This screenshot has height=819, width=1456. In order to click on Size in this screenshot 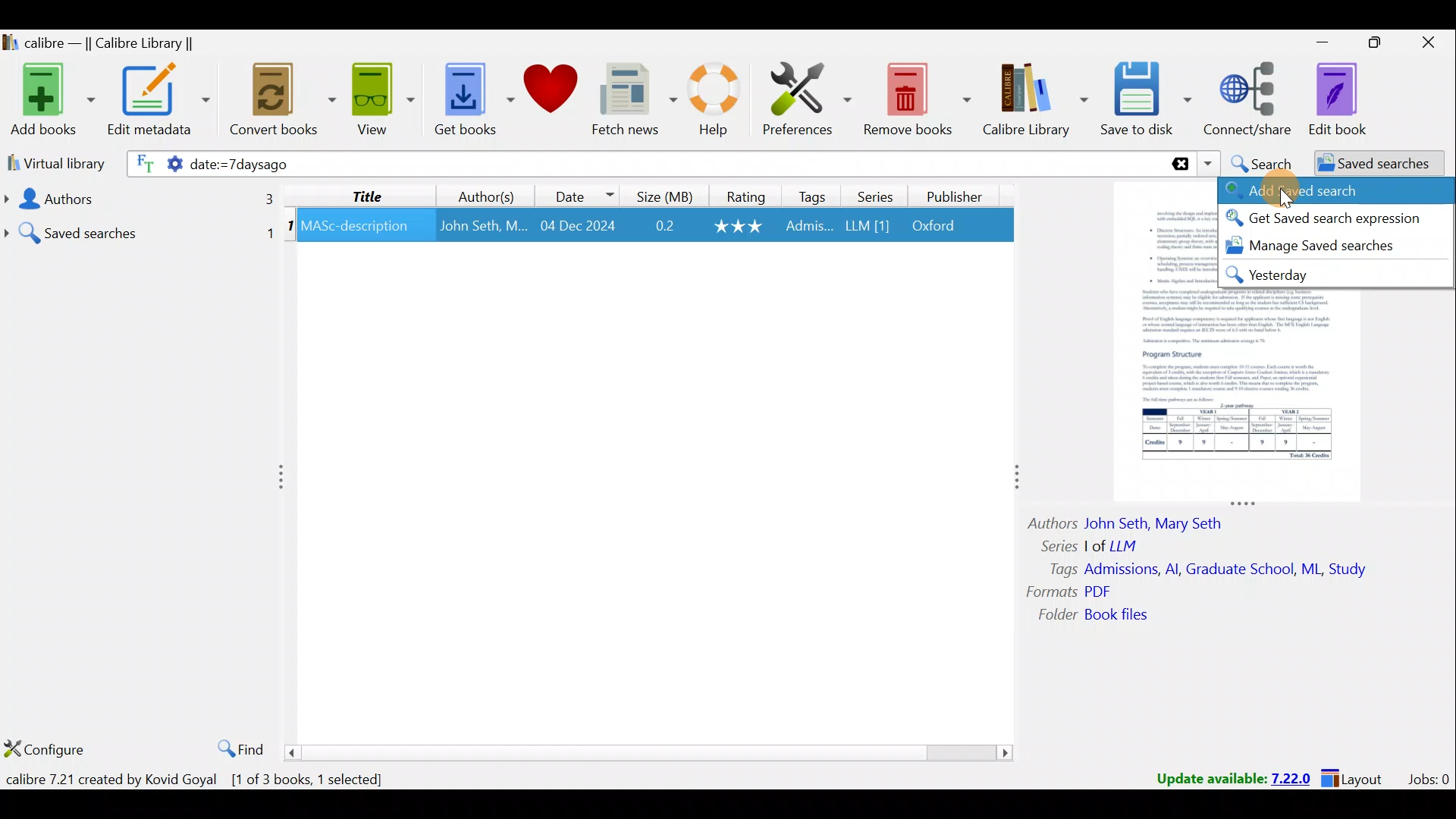, I will do `click(661, 195)`.